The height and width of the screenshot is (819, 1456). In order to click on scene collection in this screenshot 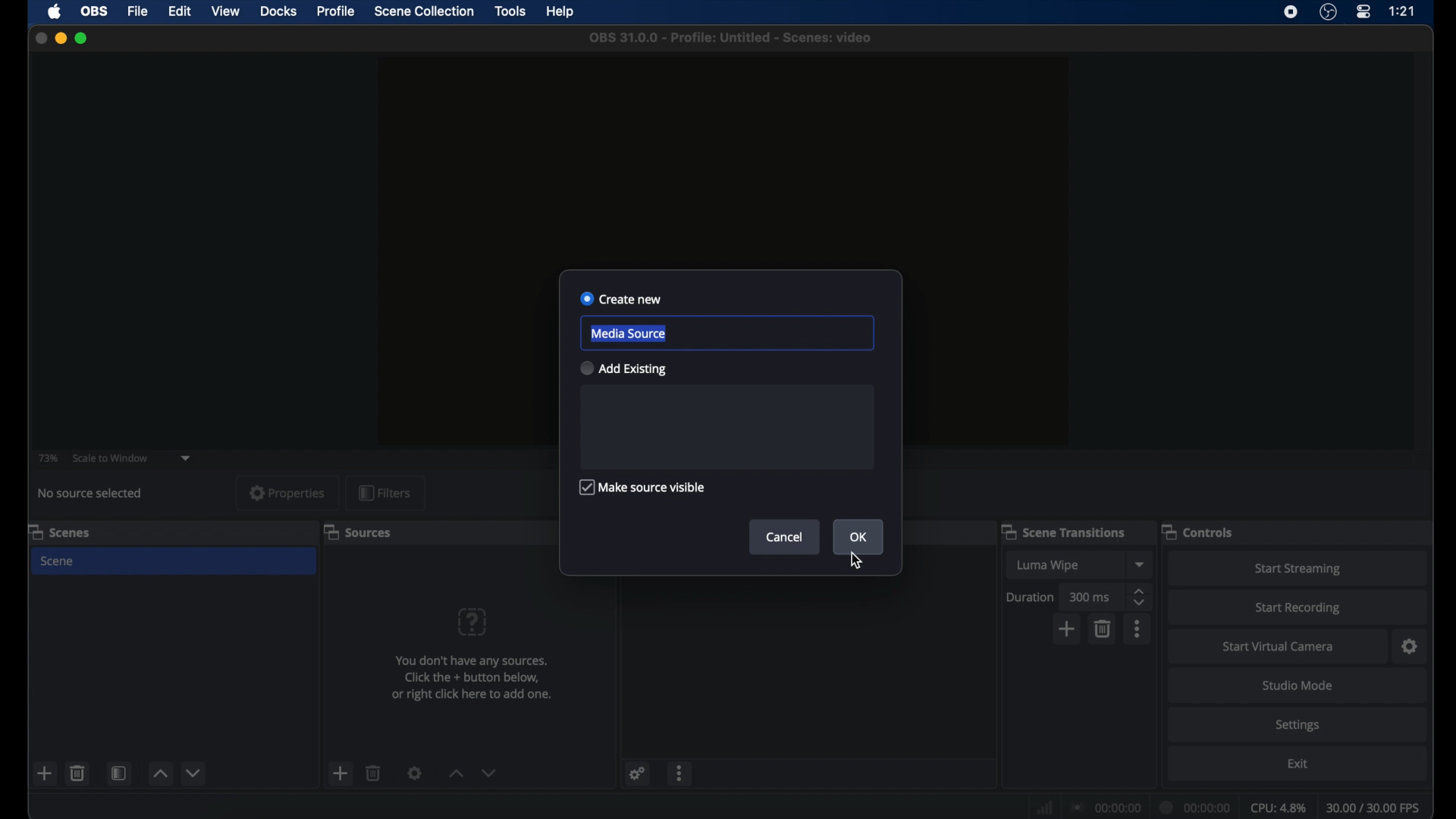, I will do `click(422, 11)`.